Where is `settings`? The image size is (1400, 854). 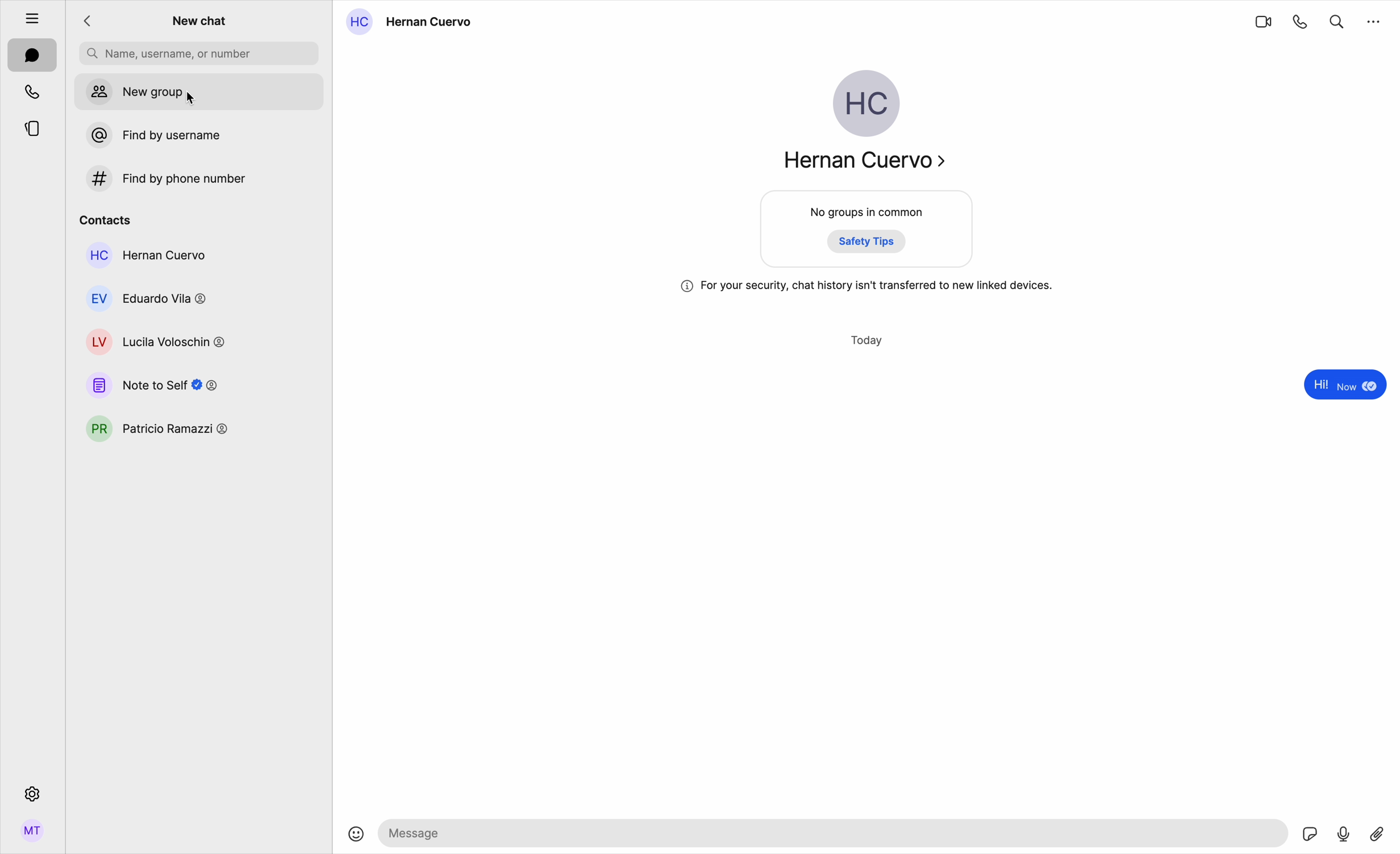
settings is located at coordinates (31, 793).